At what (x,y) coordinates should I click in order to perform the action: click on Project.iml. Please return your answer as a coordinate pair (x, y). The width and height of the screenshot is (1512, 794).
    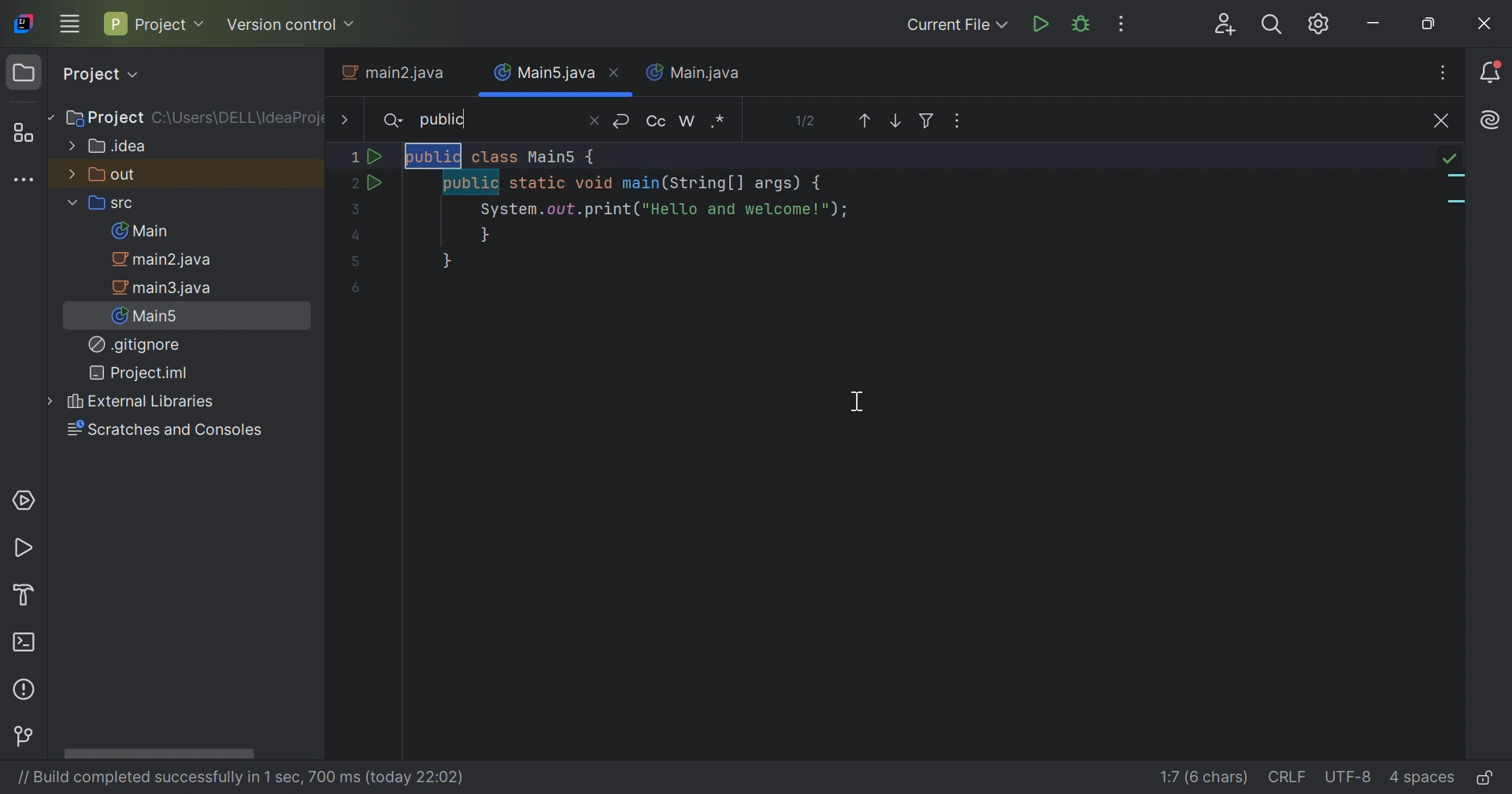
    Looking at the image, I should click on (138, 373).